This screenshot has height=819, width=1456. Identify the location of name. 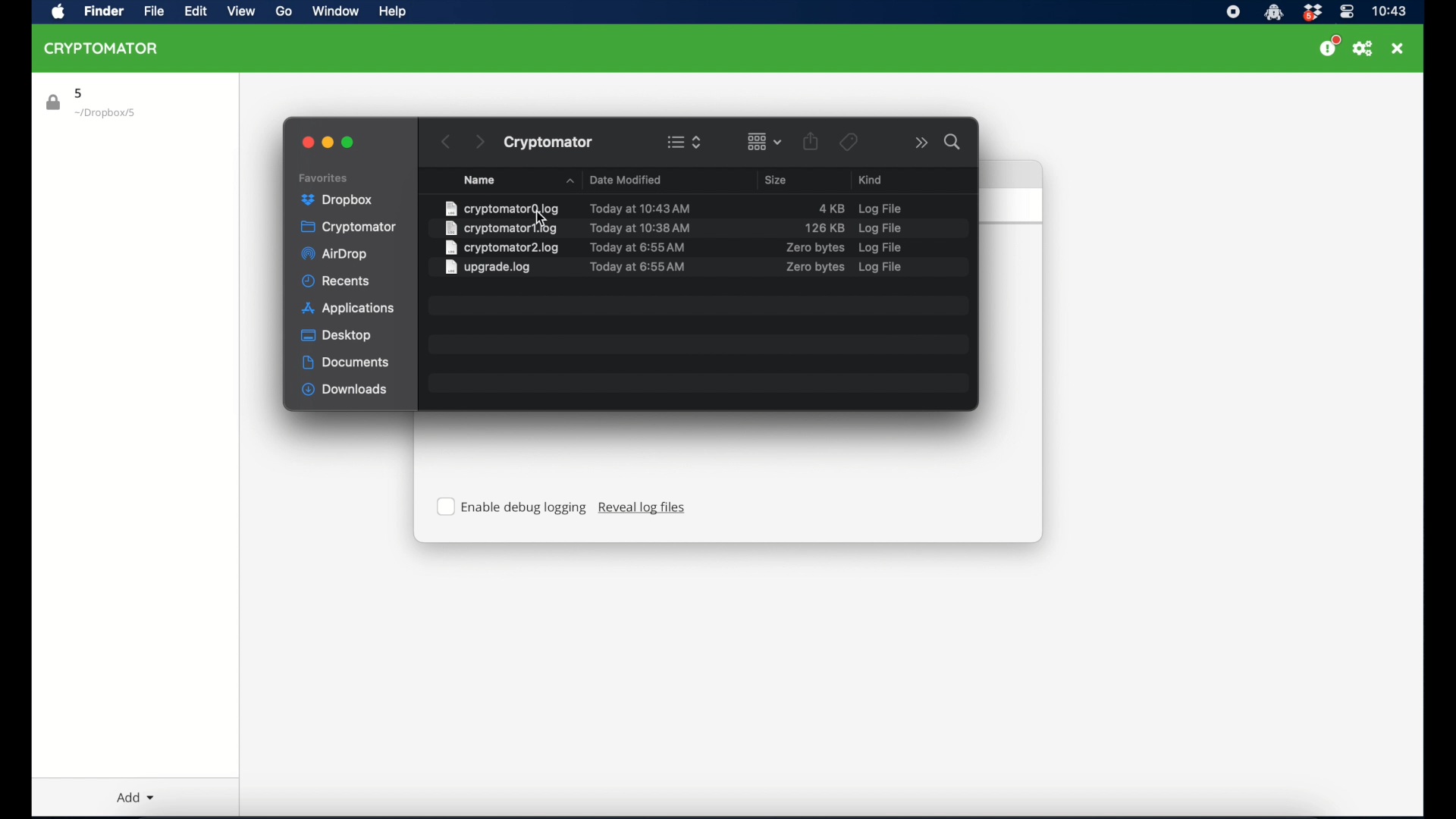
(480, 180).